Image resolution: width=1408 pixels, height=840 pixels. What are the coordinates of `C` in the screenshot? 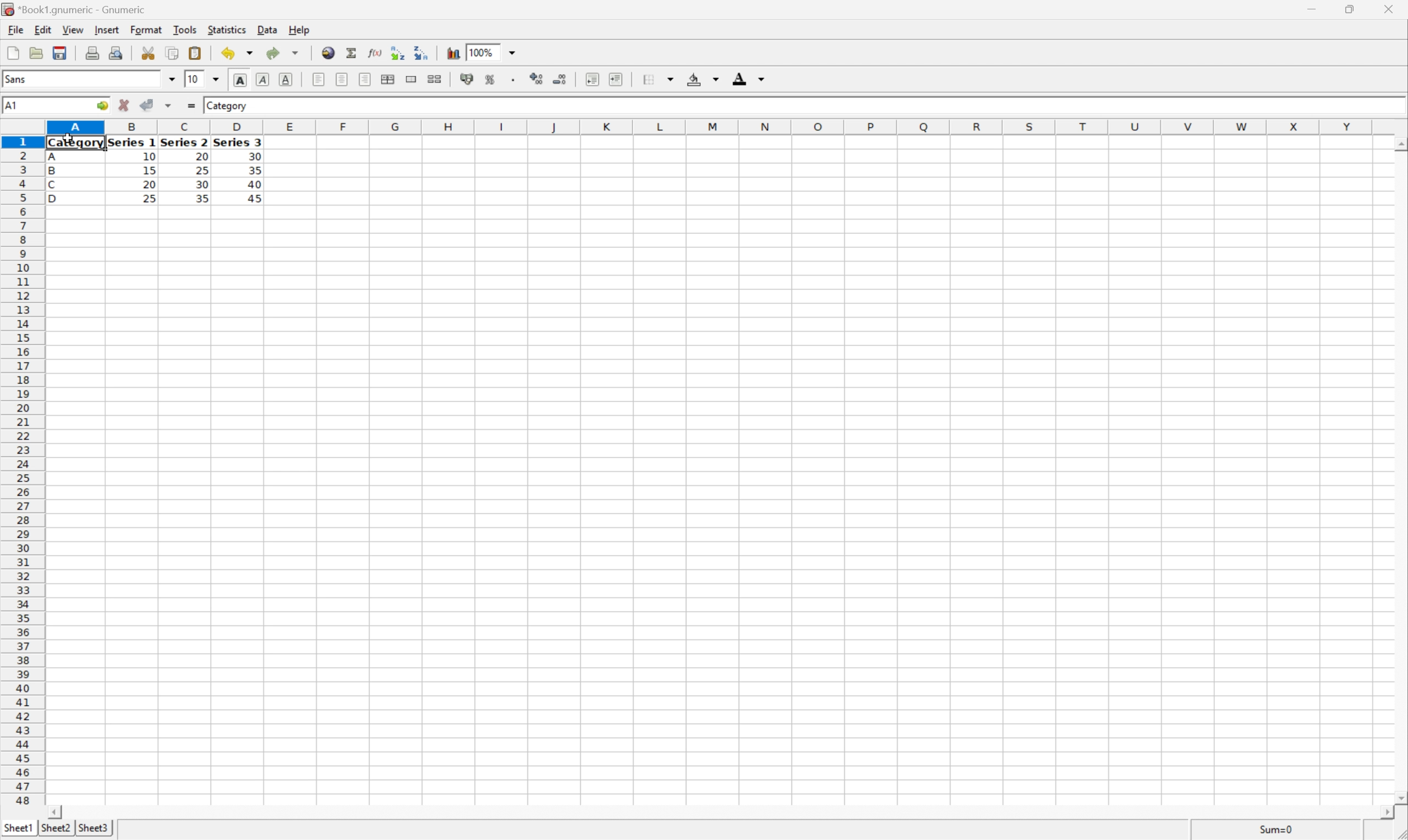 It's located at (52, 186).